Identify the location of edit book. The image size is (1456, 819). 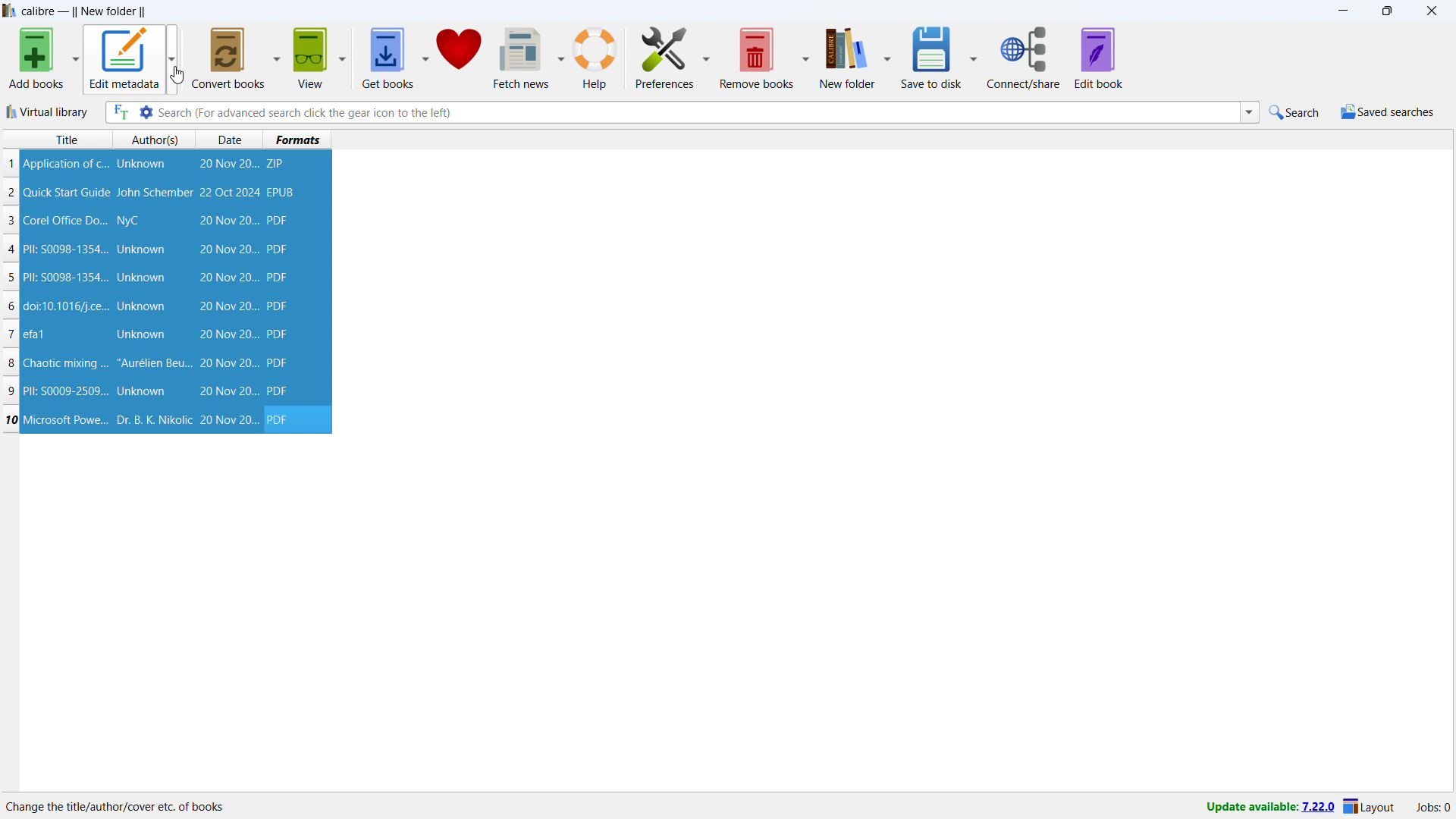
(1100, 58).